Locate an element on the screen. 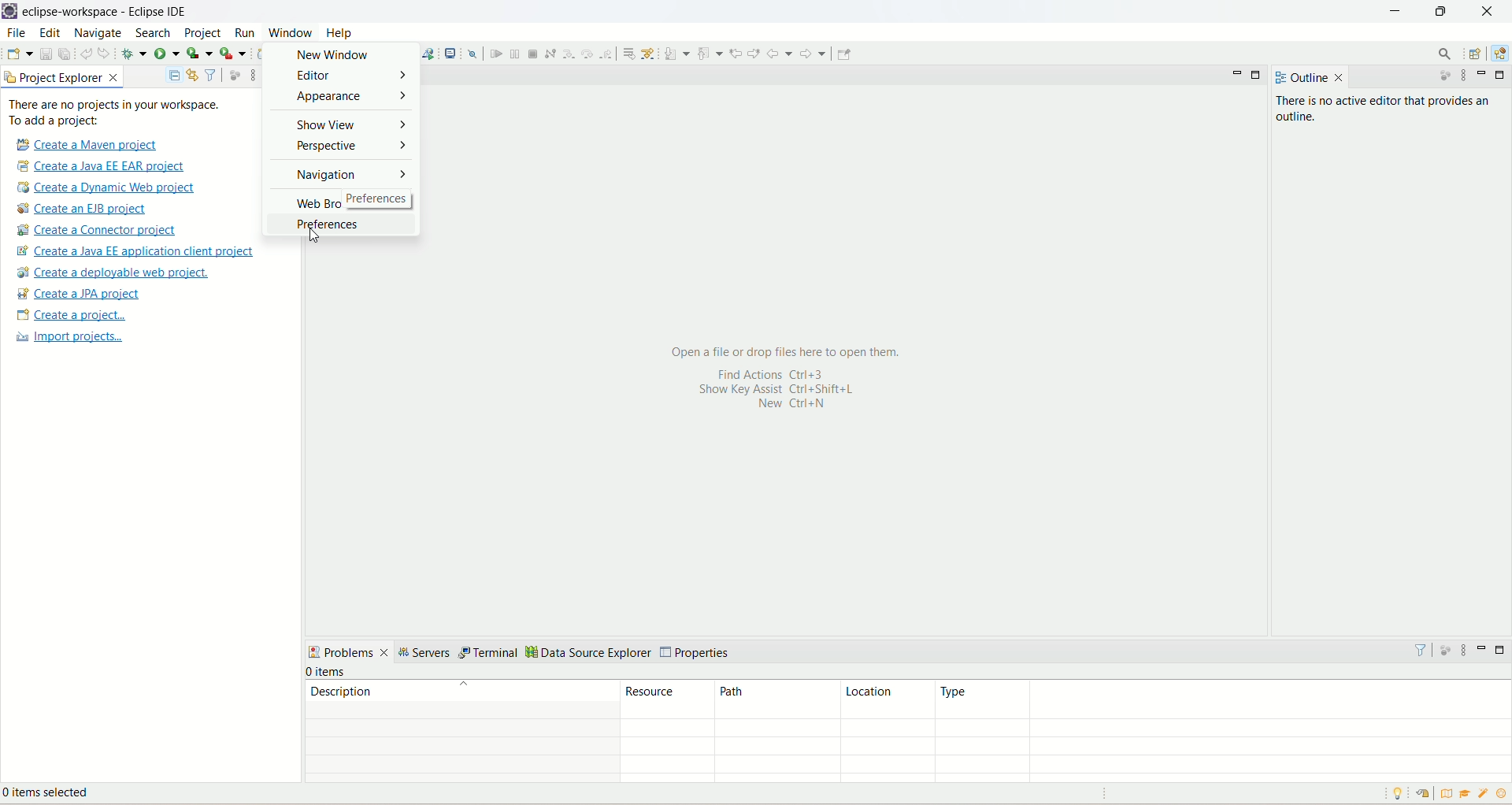  Open a file or drop files here to open them. is located at coordinates (789, 351).